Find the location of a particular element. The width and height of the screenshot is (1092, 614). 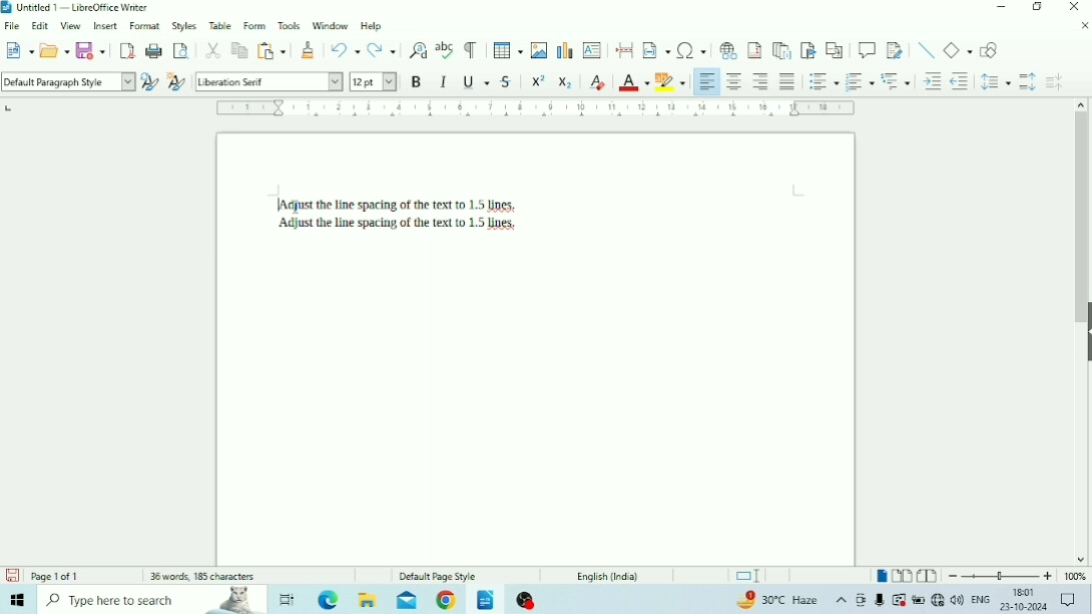

Underline is located at coordinates (475, 81).